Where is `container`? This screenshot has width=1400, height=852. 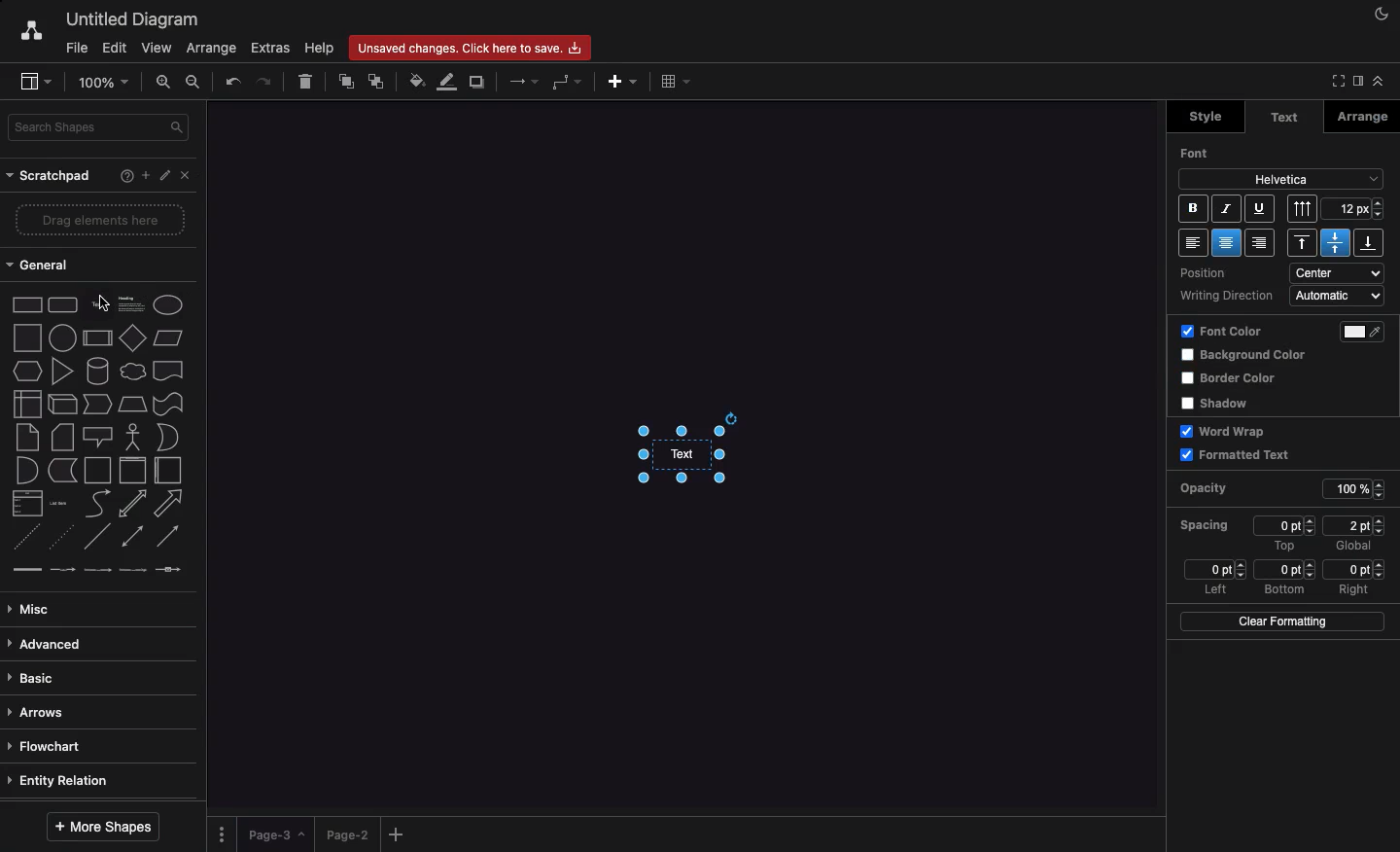
container is located at coordinates (97, 471).